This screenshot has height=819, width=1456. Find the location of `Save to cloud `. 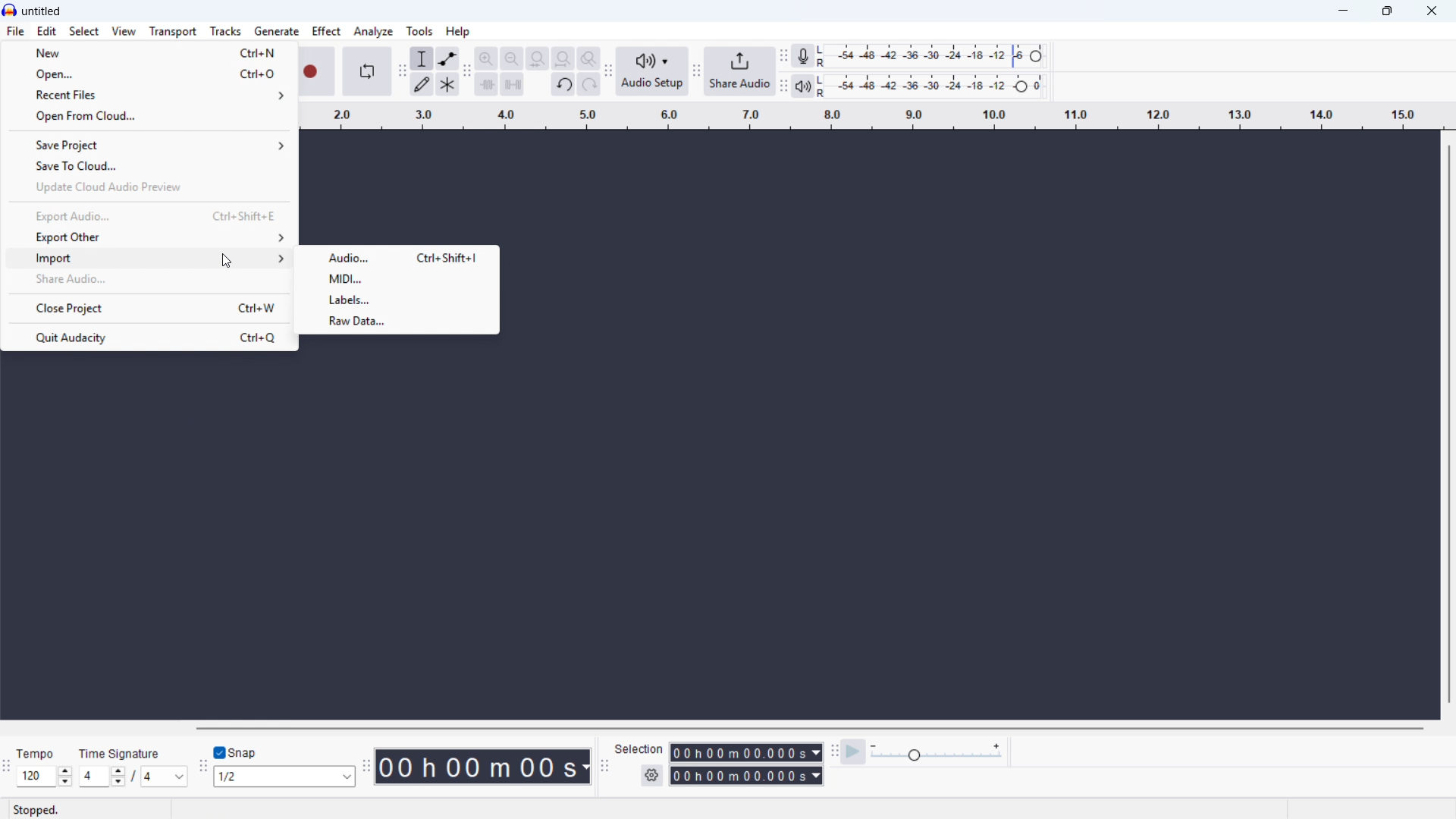

Save to cloud  is located at coordinates (147, 167).